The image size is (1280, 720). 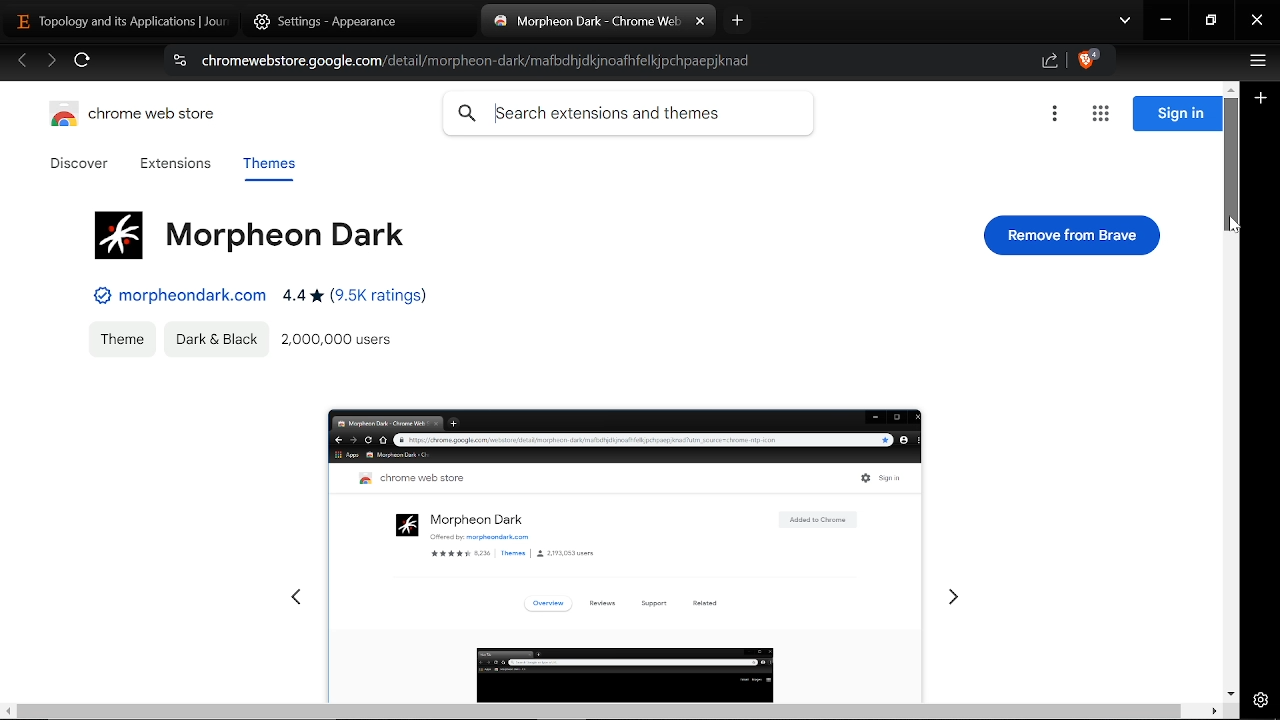 What do you see at coordinates (120, 336) in the screenshot?
I see `theme` at bounding box center [120, 336].